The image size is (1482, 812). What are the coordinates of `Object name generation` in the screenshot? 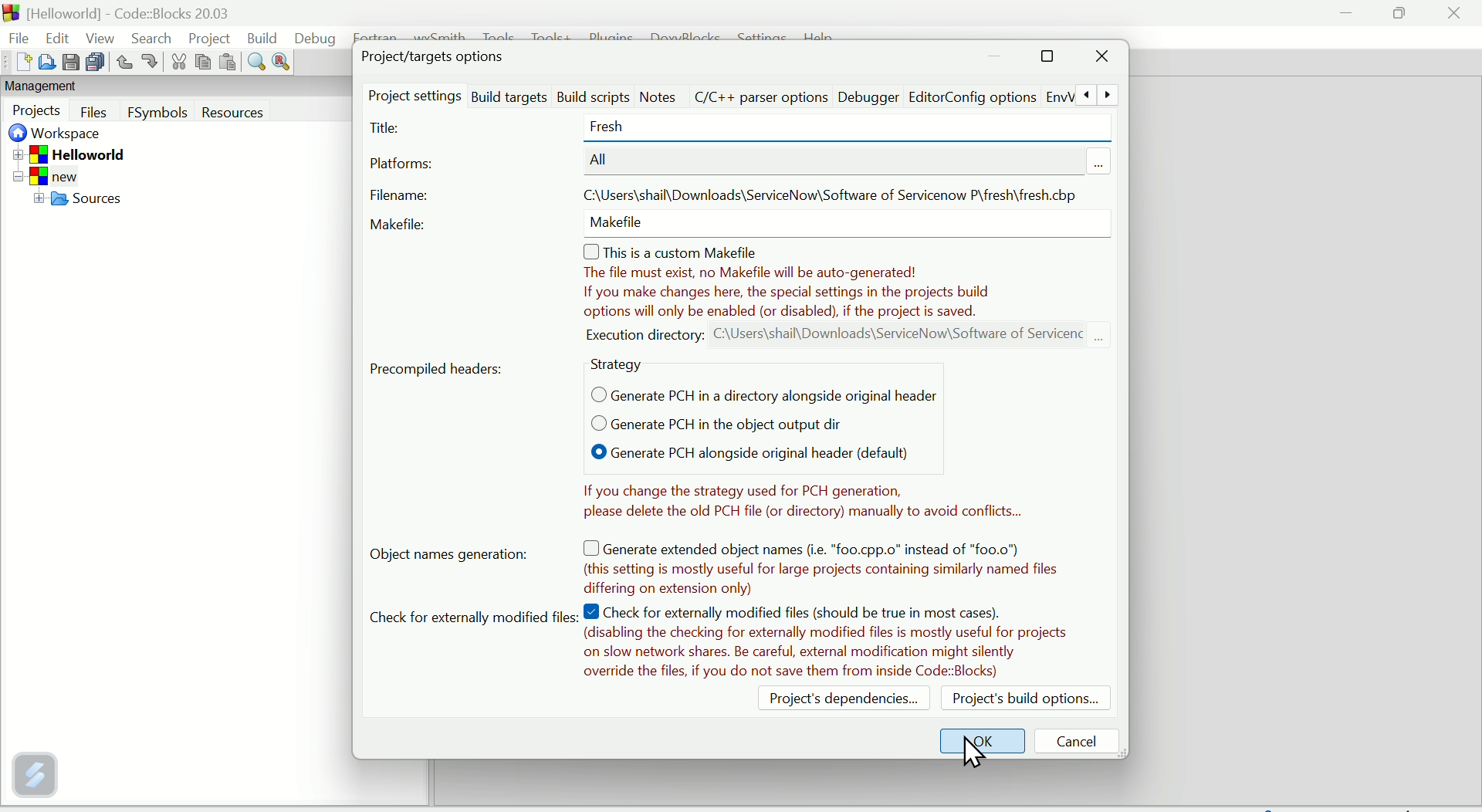 It's located at (462, 556).